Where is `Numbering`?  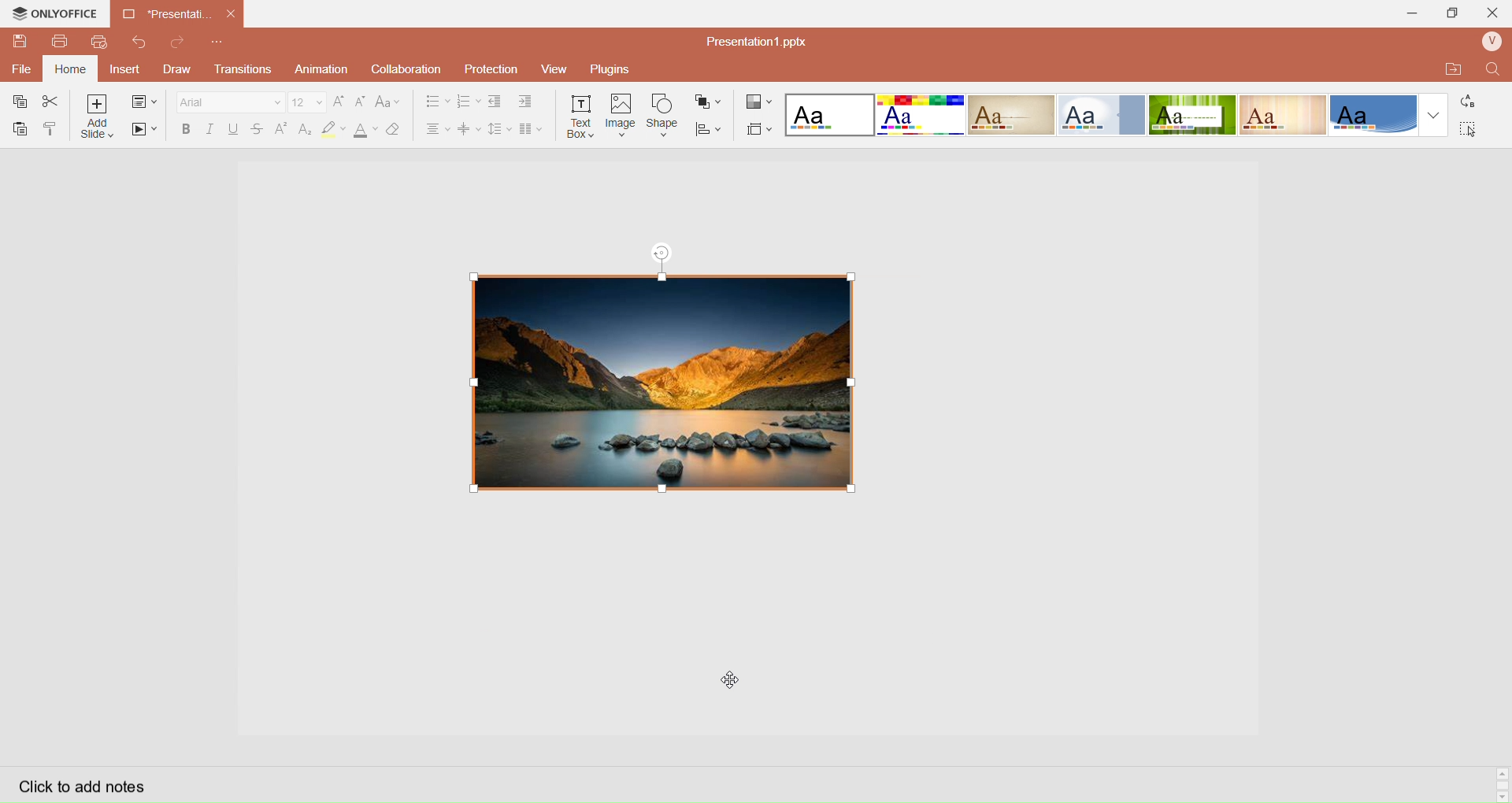 Numbering is located at coordinates (469, 102).